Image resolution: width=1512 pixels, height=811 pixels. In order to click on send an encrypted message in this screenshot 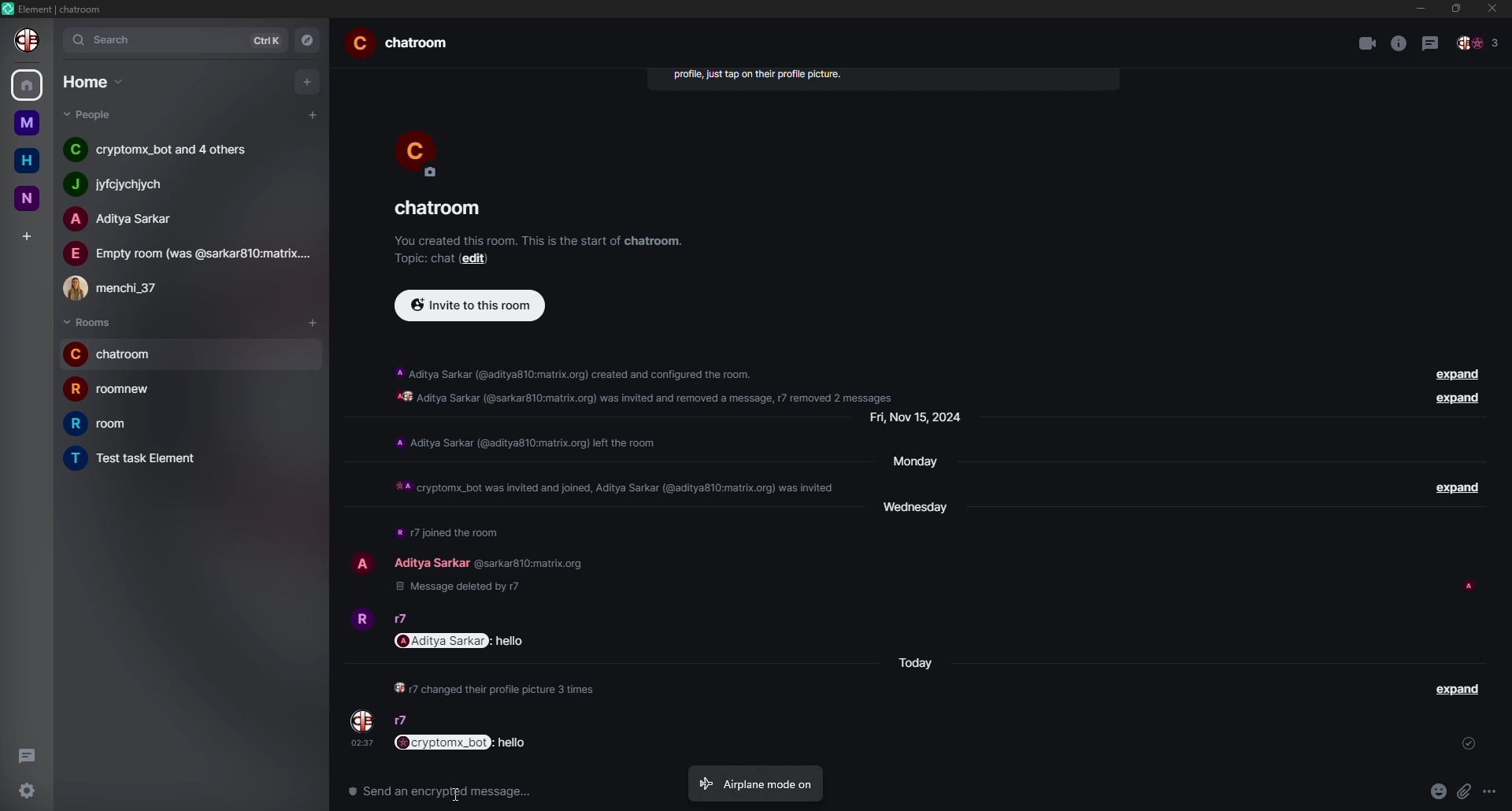, I will do `click(445, 793)`.